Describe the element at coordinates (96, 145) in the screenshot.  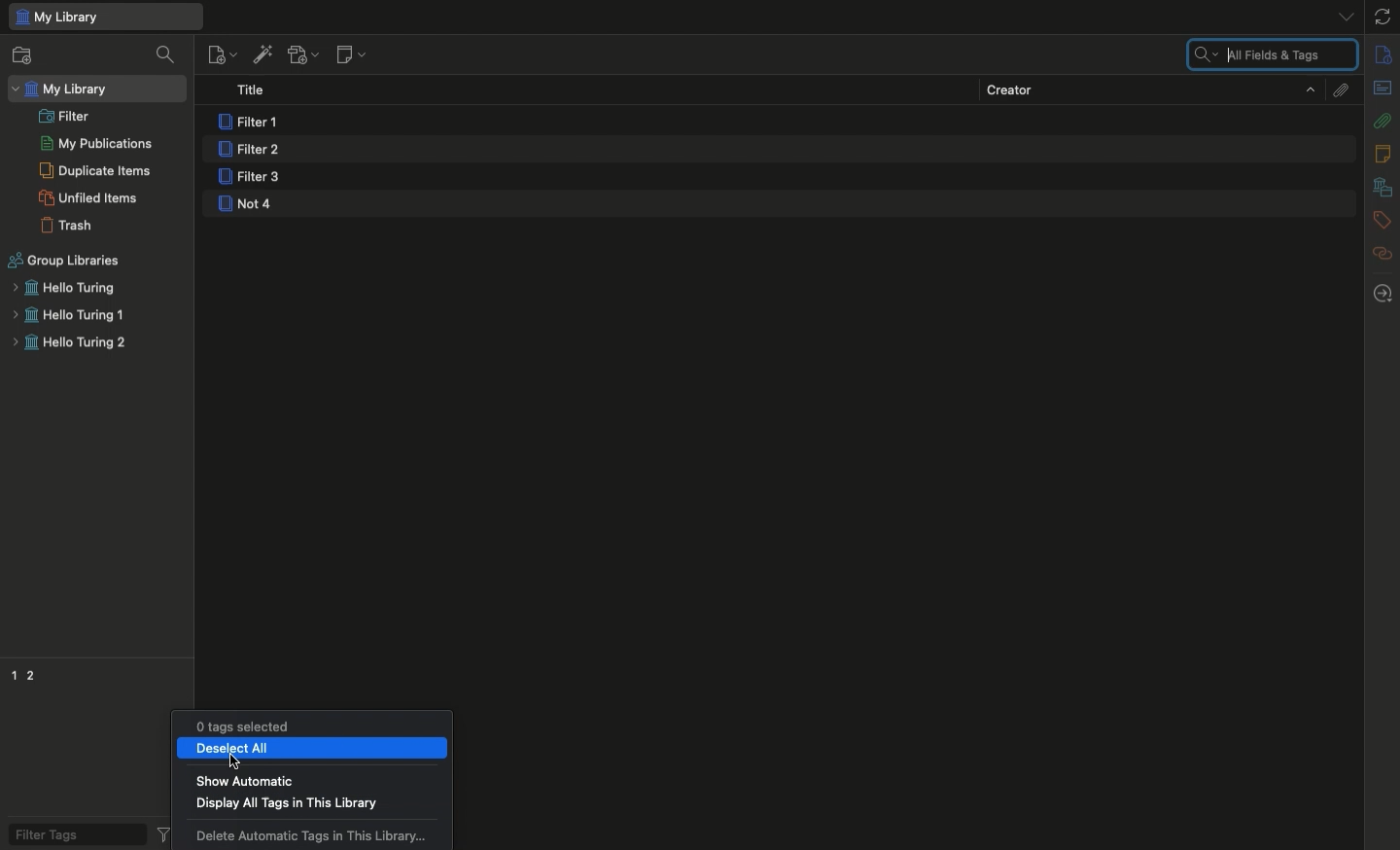
I see `My publications` at that location.